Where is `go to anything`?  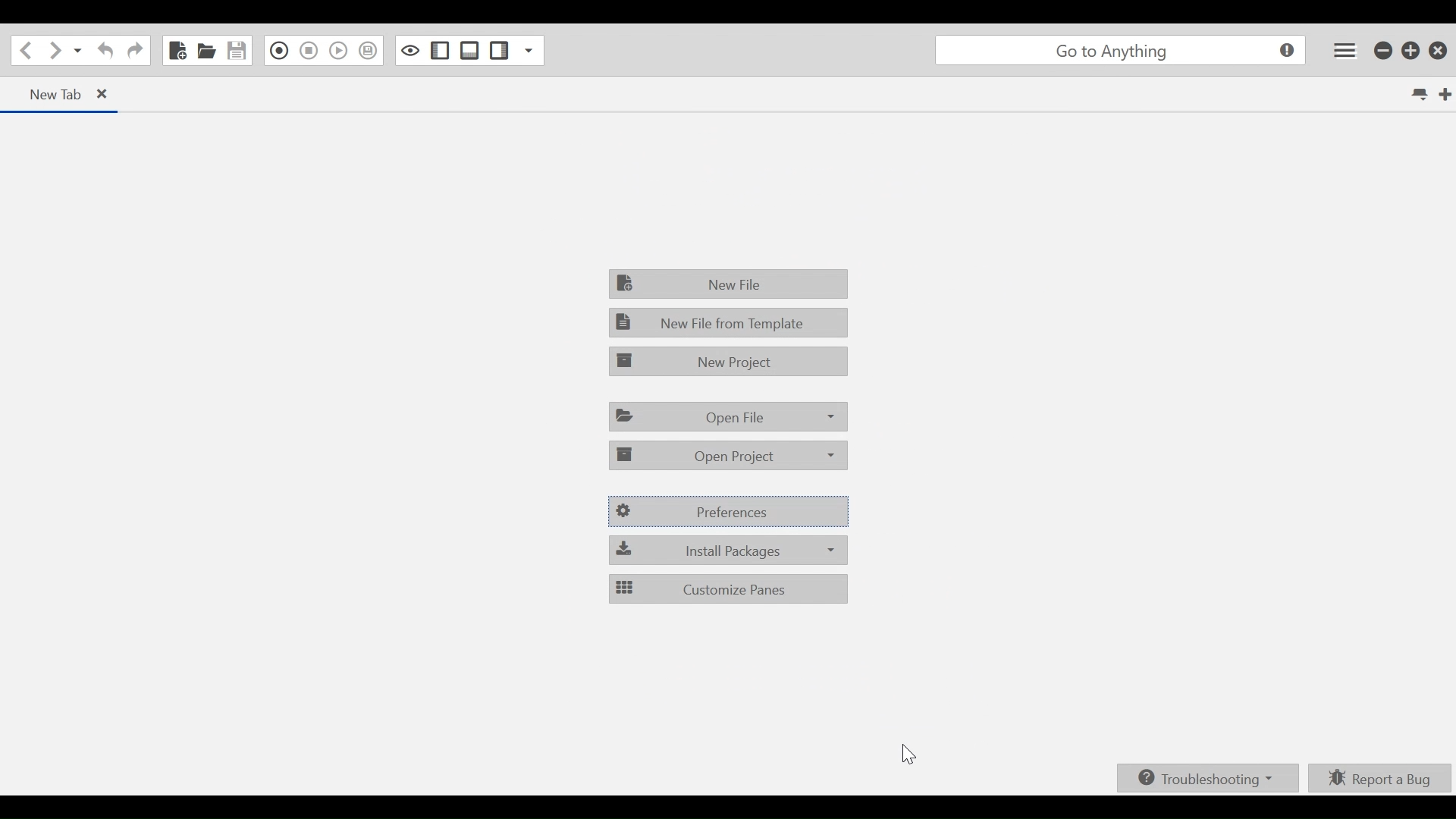
go to anything is located at coordinates (1120, 52).